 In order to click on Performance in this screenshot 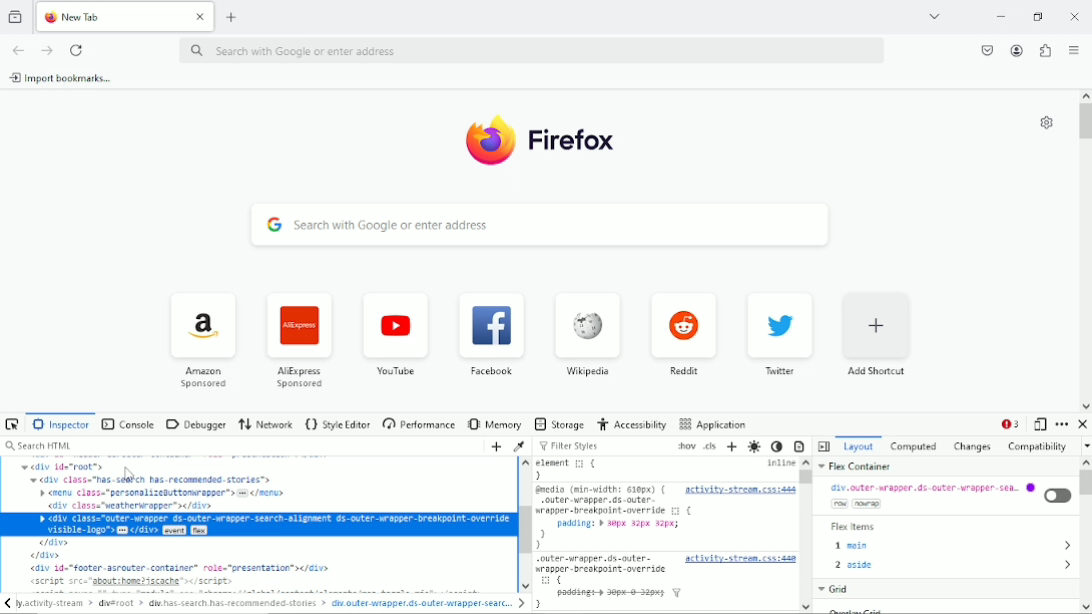, I will do `click(419, 426)`.